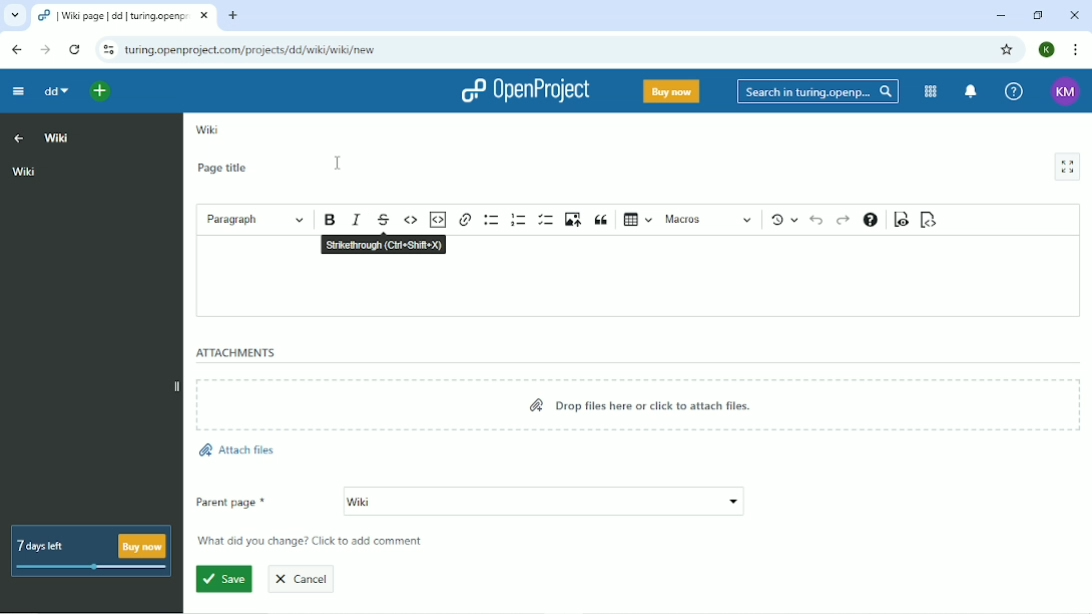  Describe the element at coordinates (337, 162) in the screenshot. I see `Cursor` at that location.